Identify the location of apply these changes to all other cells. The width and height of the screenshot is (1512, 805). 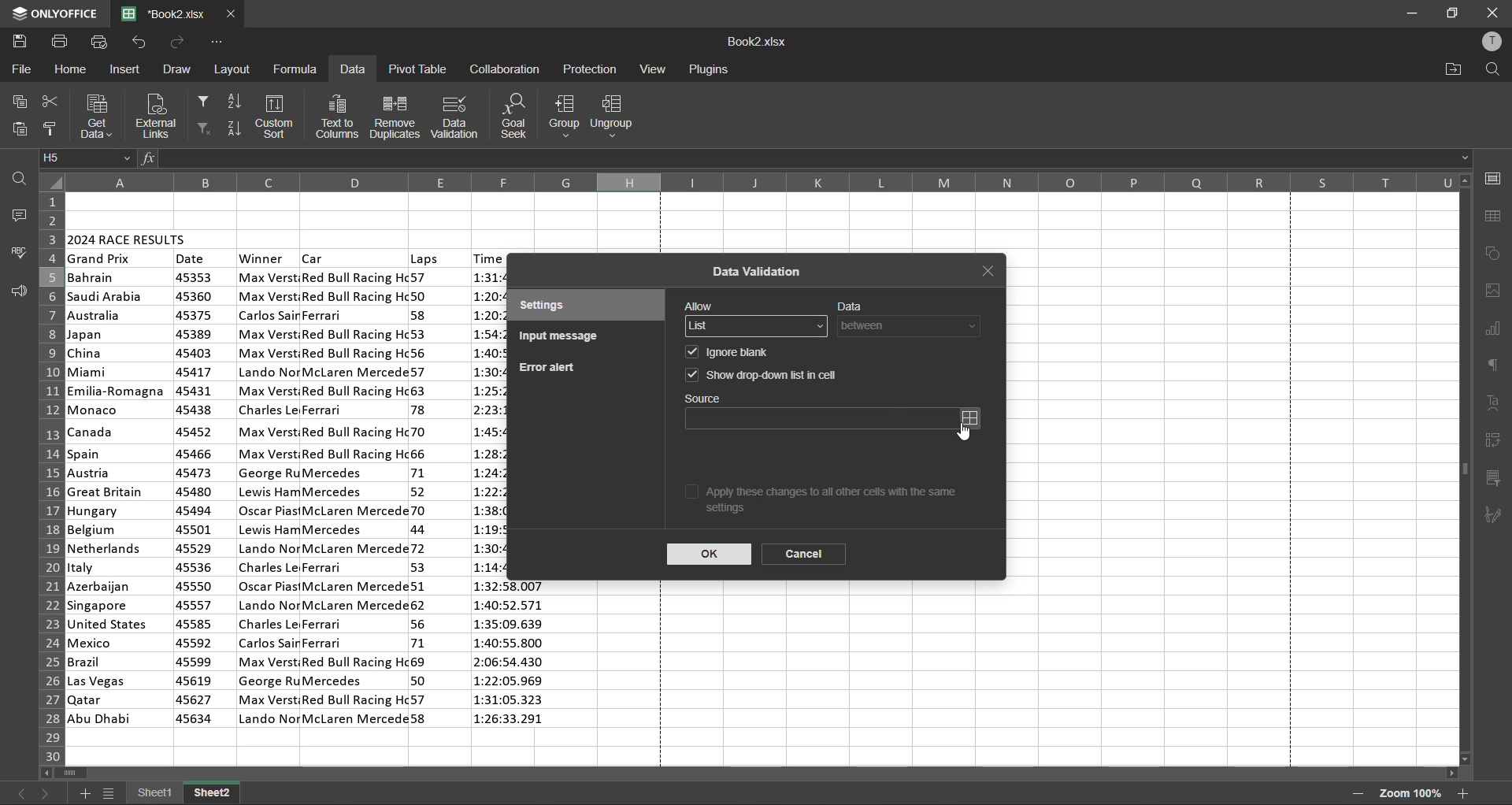
(839, 503).